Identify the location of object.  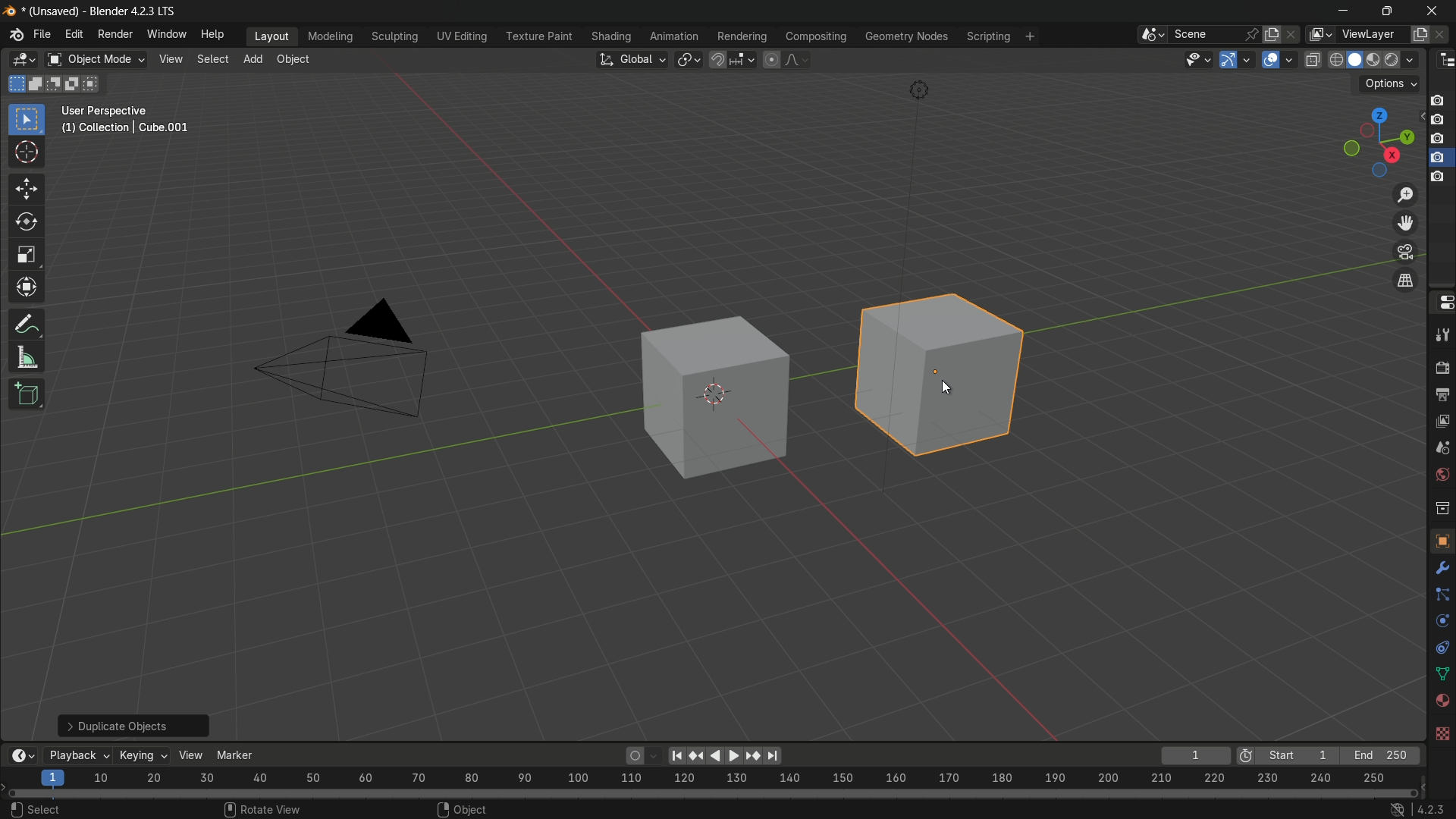
(701, 404).